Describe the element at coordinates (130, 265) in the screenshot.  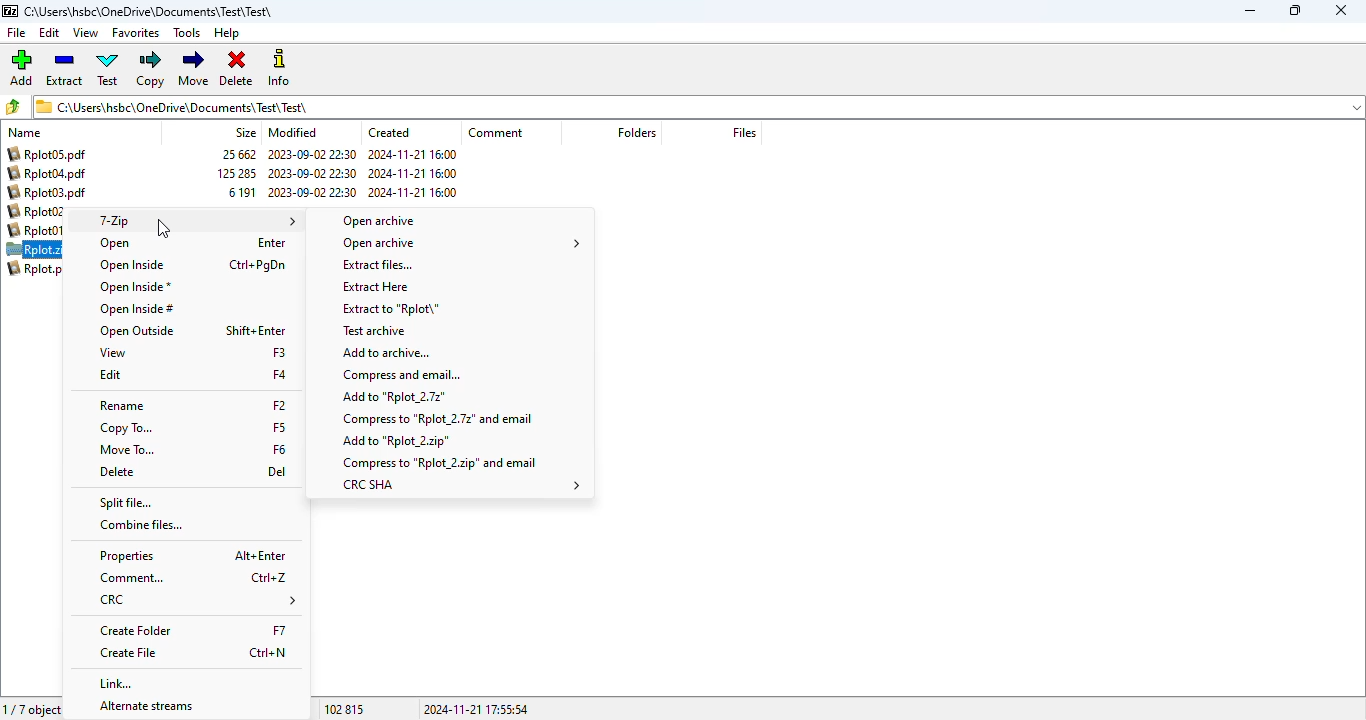
I see `open inside` at that location.